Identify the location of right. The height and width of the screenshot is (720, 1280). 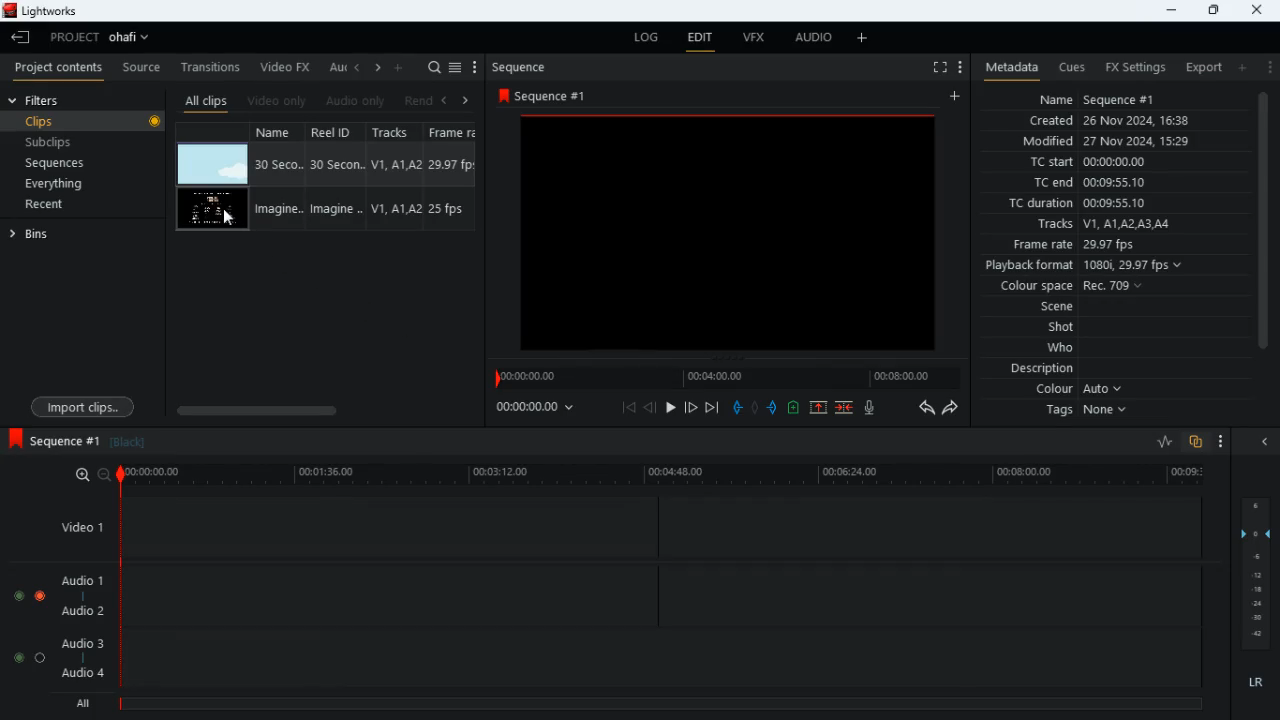
(466, 100).